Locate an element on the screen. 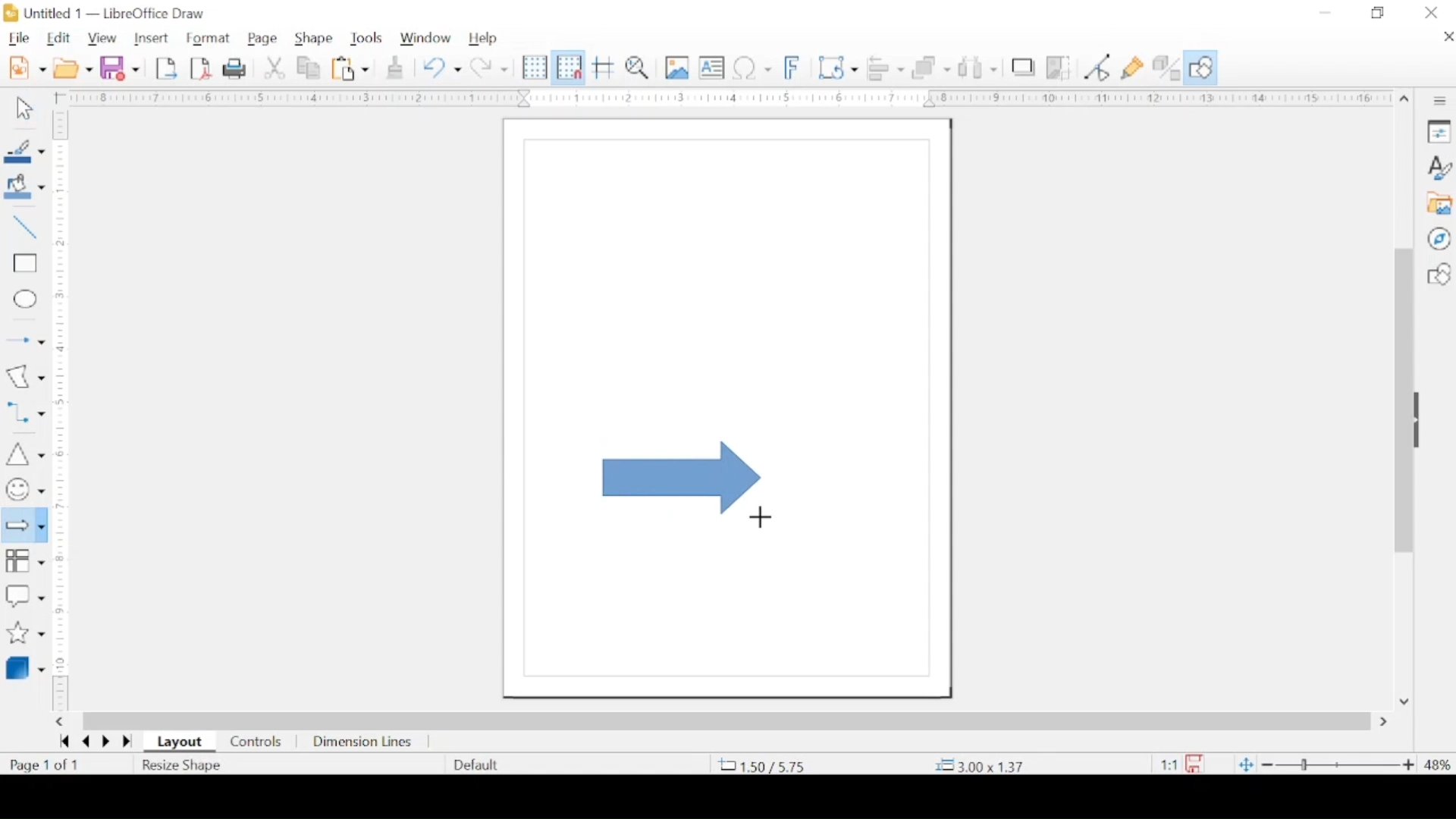 The width and height of the screenshot is (1456, 819). minimize is located at coordinates (1326, 13).